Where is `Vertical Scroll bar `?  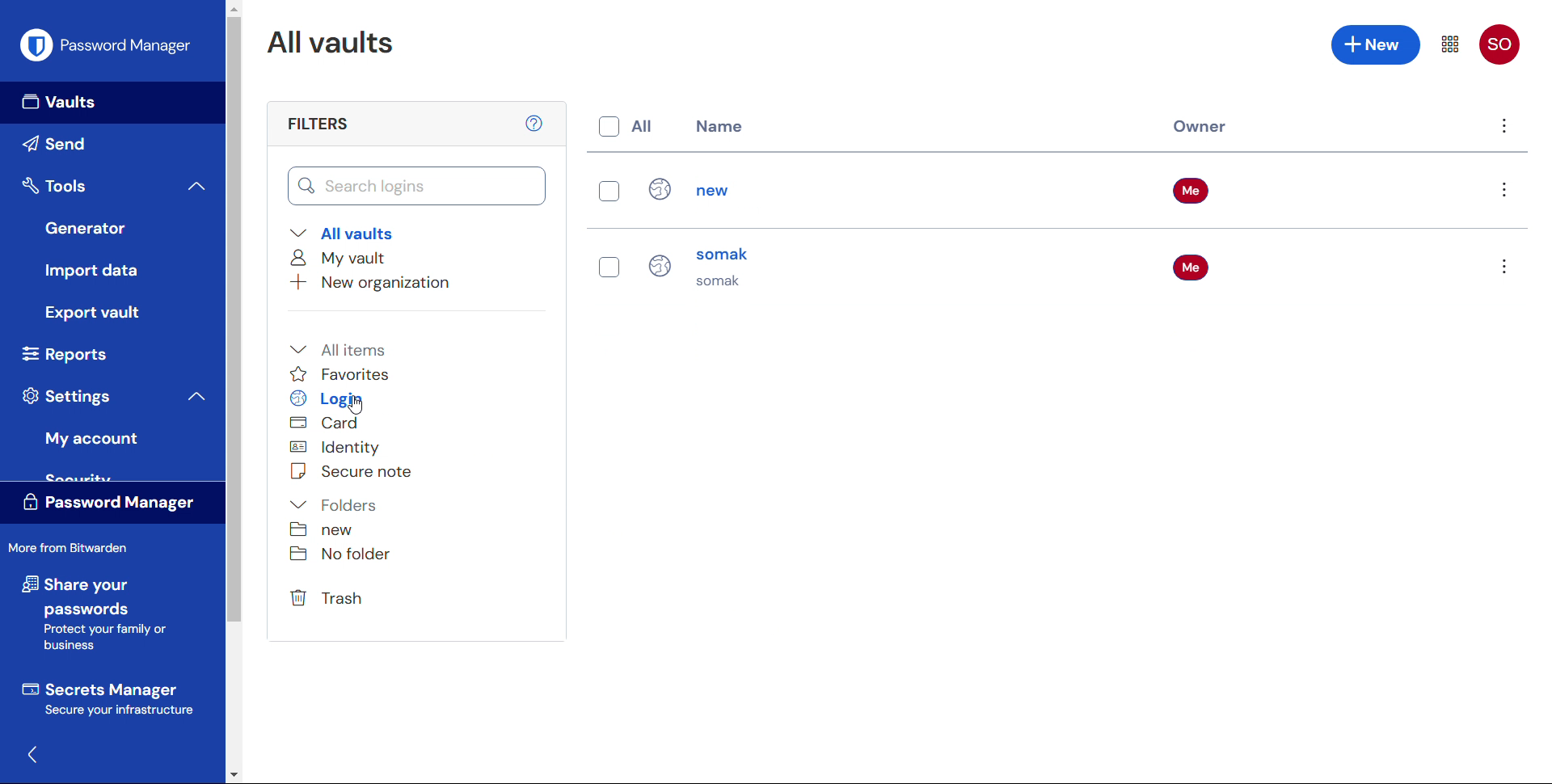
Vertical Scroll bar  is located at coordinates (233, 319).